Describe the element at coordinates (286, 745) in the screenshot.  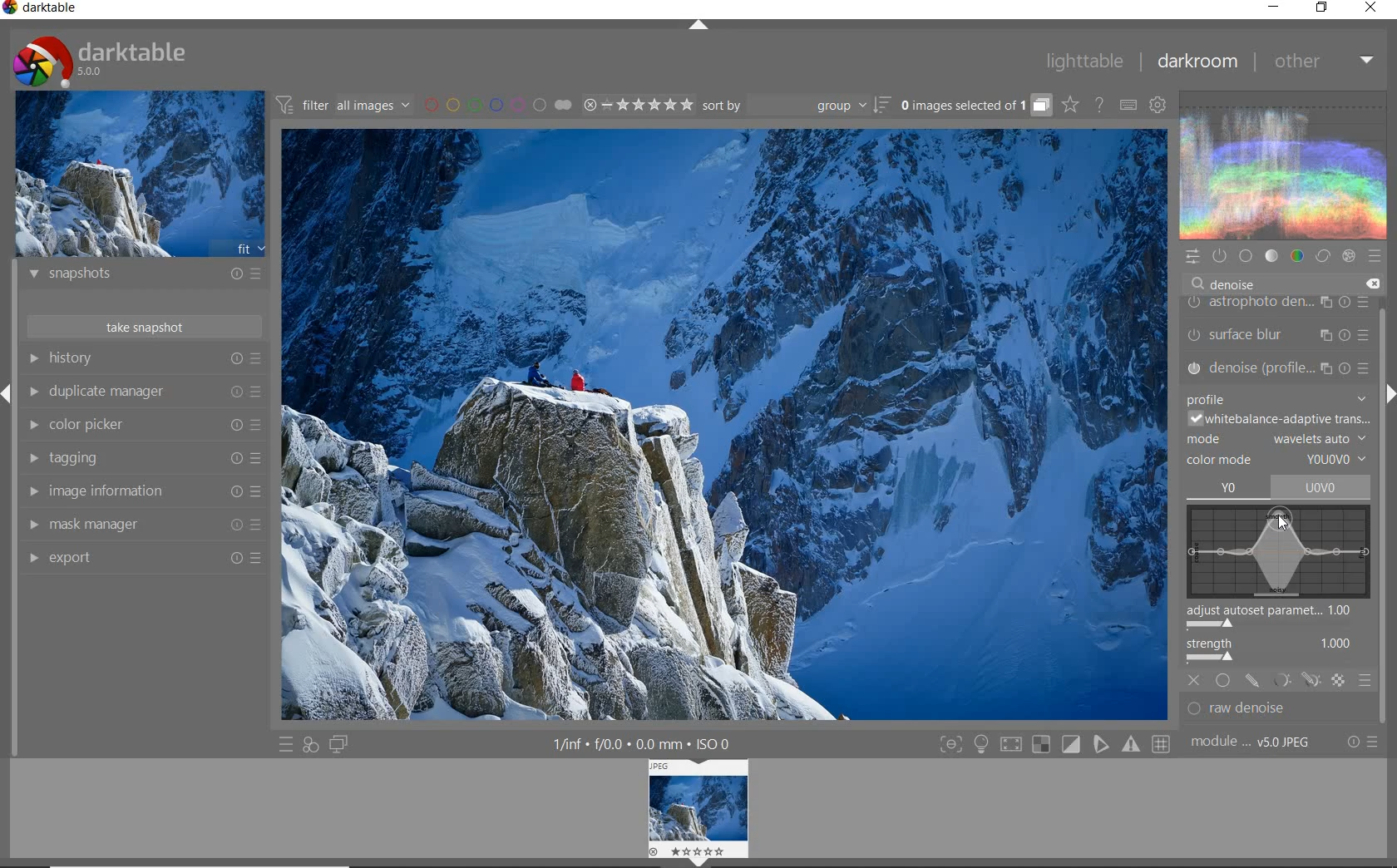
I see `quick access to presets` at that location.